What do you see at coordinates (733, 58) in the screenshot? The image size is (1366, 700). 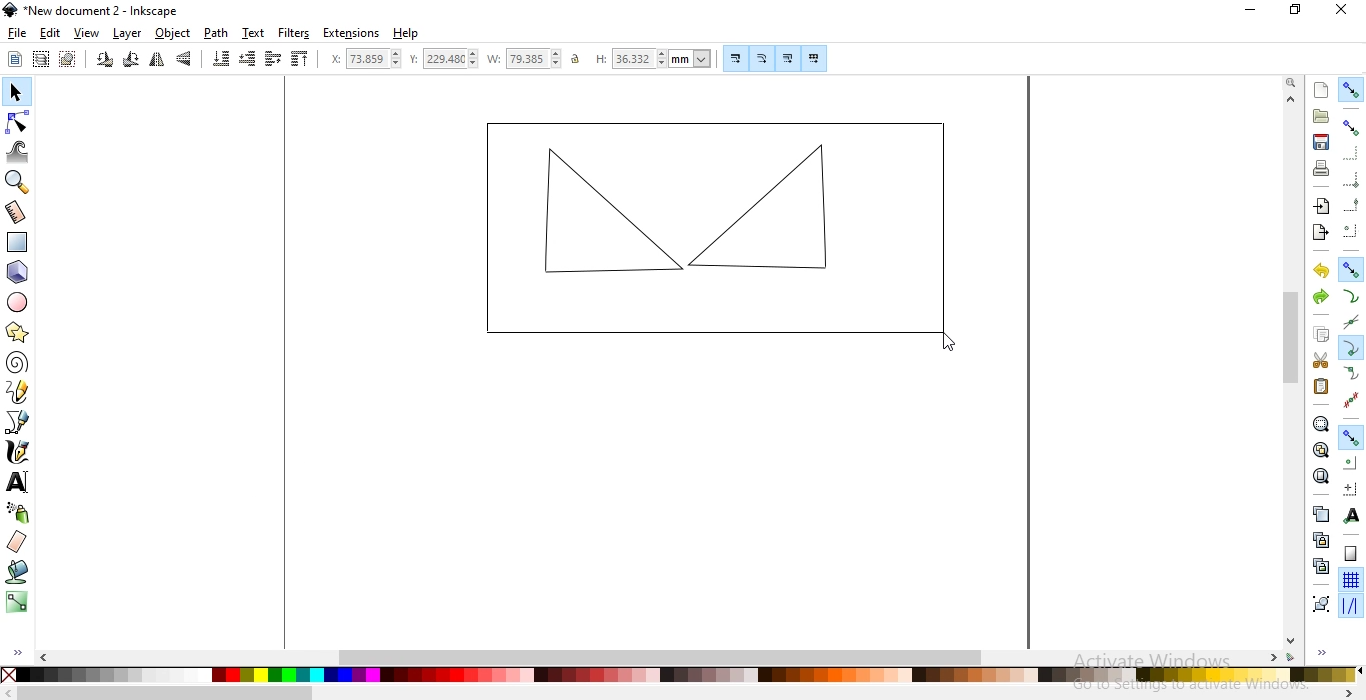 I see `scale stroke width by same proportion` at bounding box center [733, 58].